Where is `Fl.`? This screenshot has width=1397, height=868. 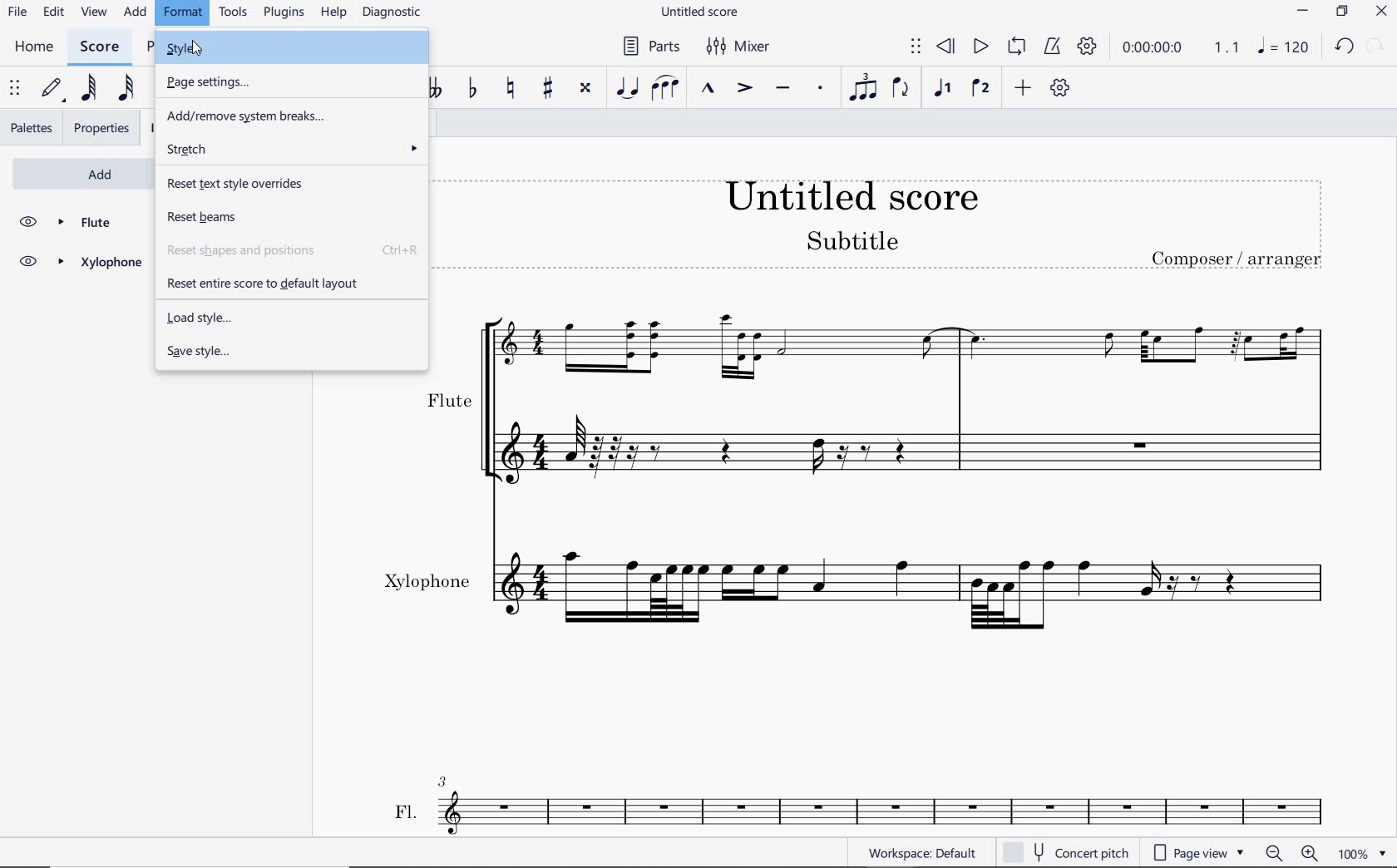
Fl. is located at coordinates (880, 806).